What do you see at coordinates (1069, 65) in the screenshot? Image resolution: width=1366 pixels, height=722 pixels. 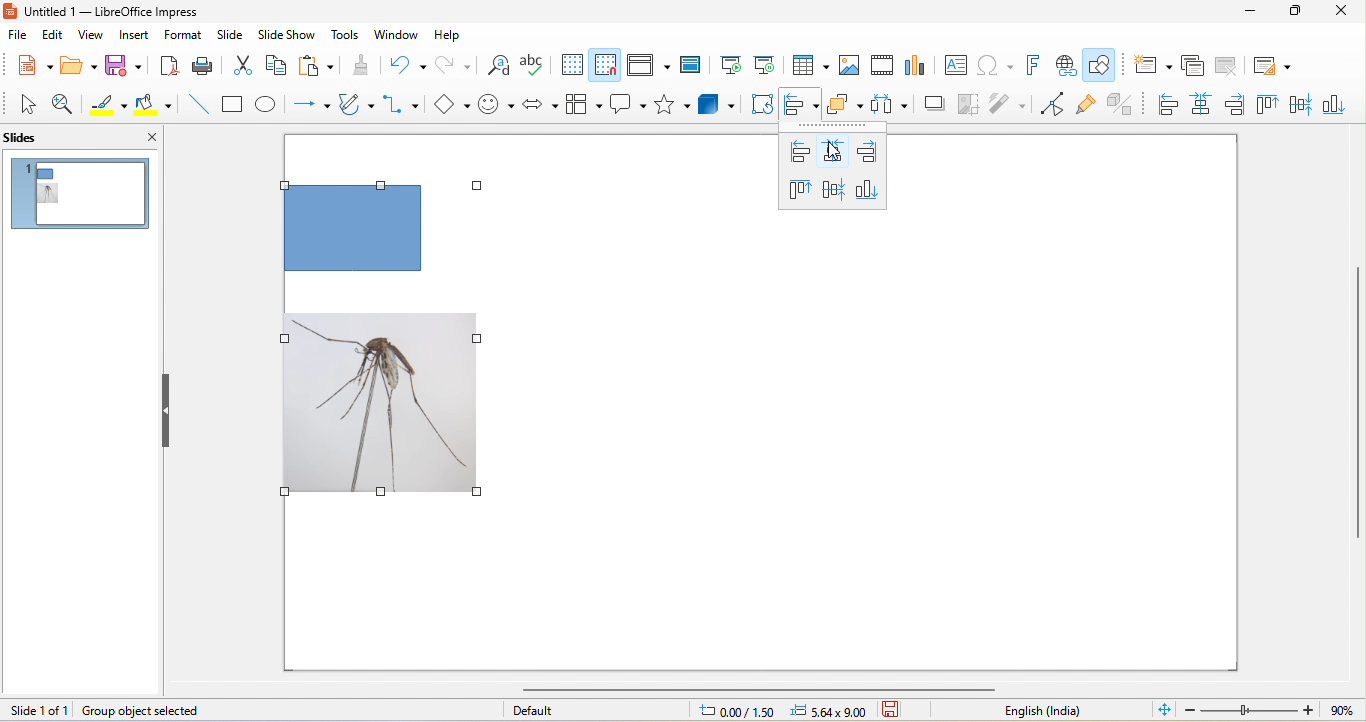 I see `hyperlink` at bounding box center [1069, 65].